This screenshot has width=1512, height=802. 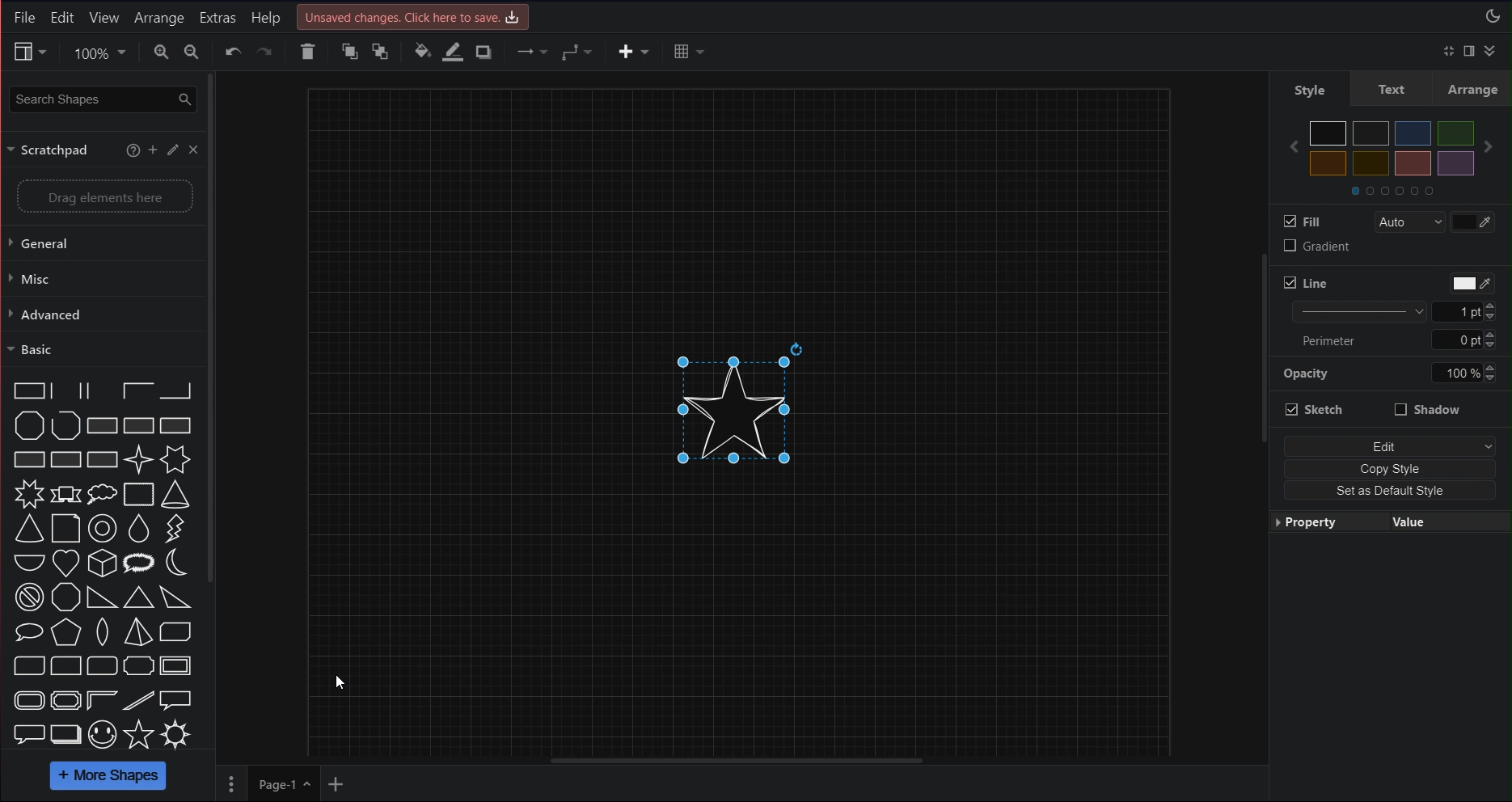 What do you see at coordinates (97, 52) in the screenshot?
I see `Zoom 100%` at bounding box center [97, 52].